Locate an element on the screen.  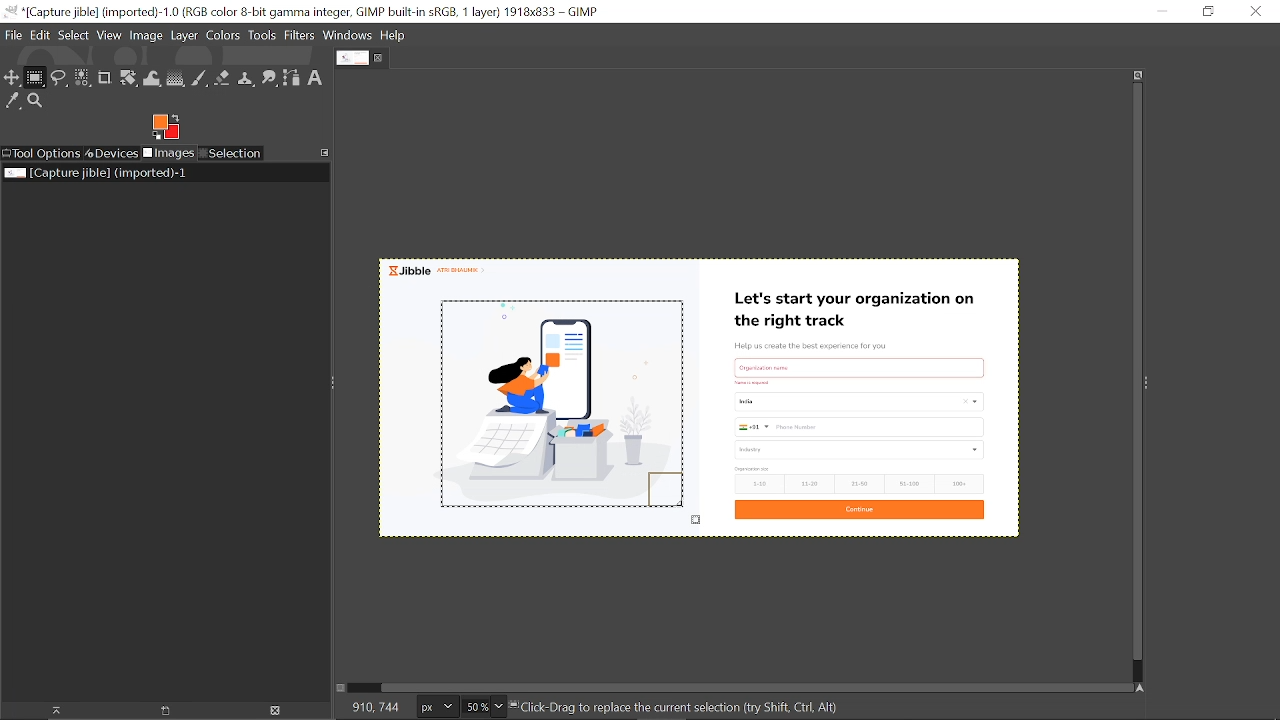
 is located at coordinates (752, 382).